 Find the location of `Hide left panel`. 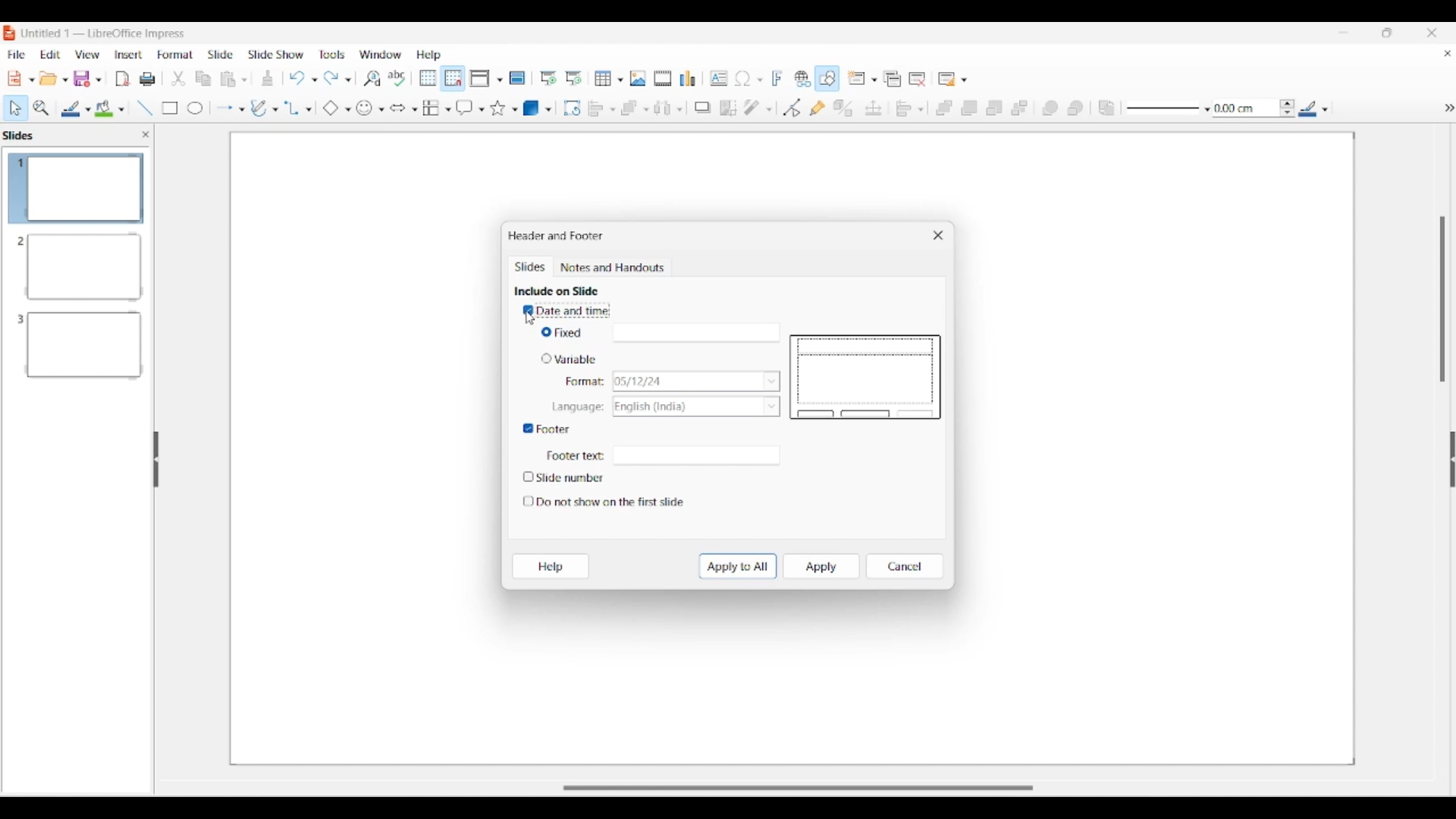

Hide left panel is located at coordinates (156, 460).